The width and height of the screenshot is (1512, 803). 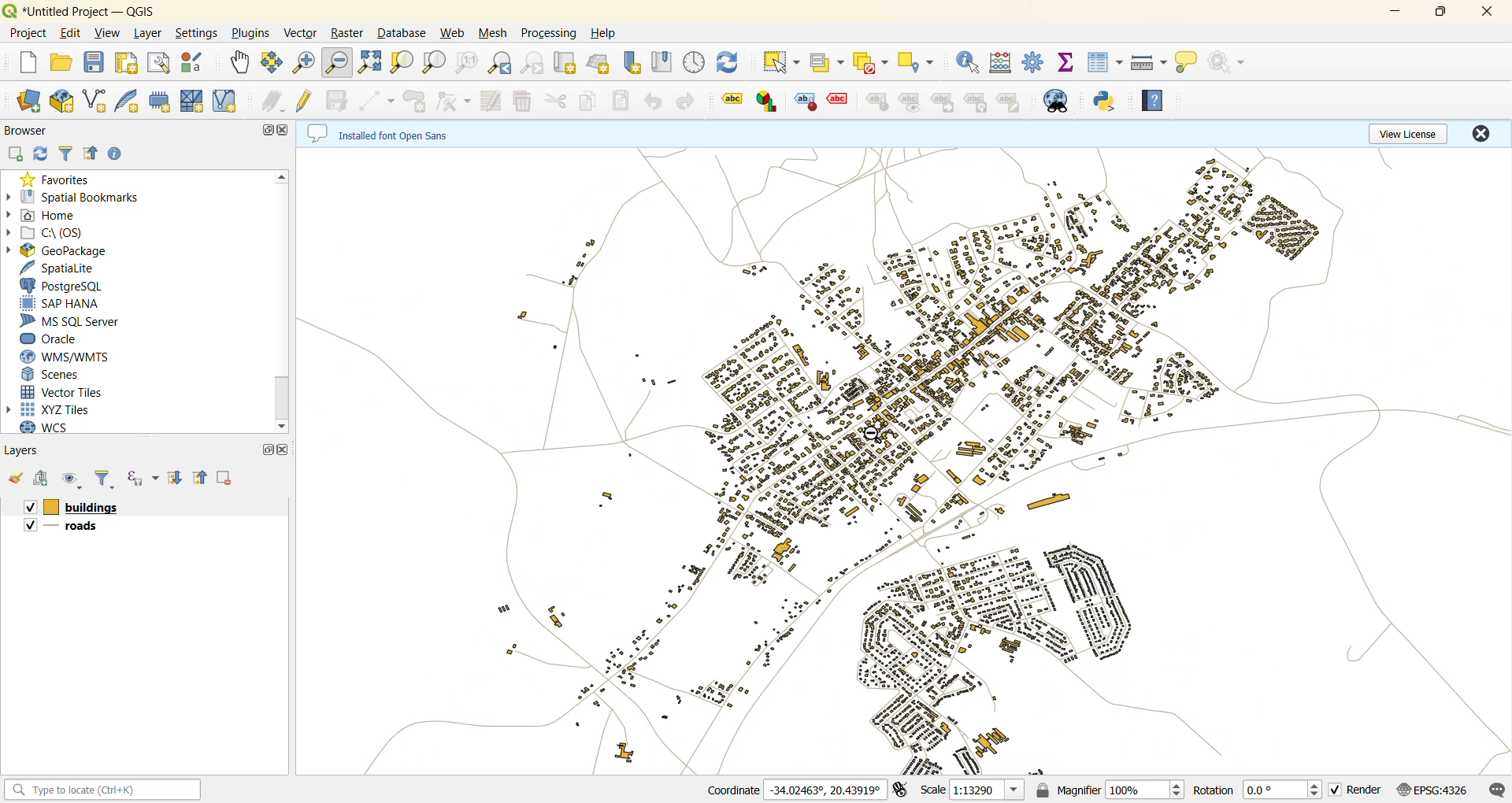 I want to click on favorites, so click(x=59, y=177).